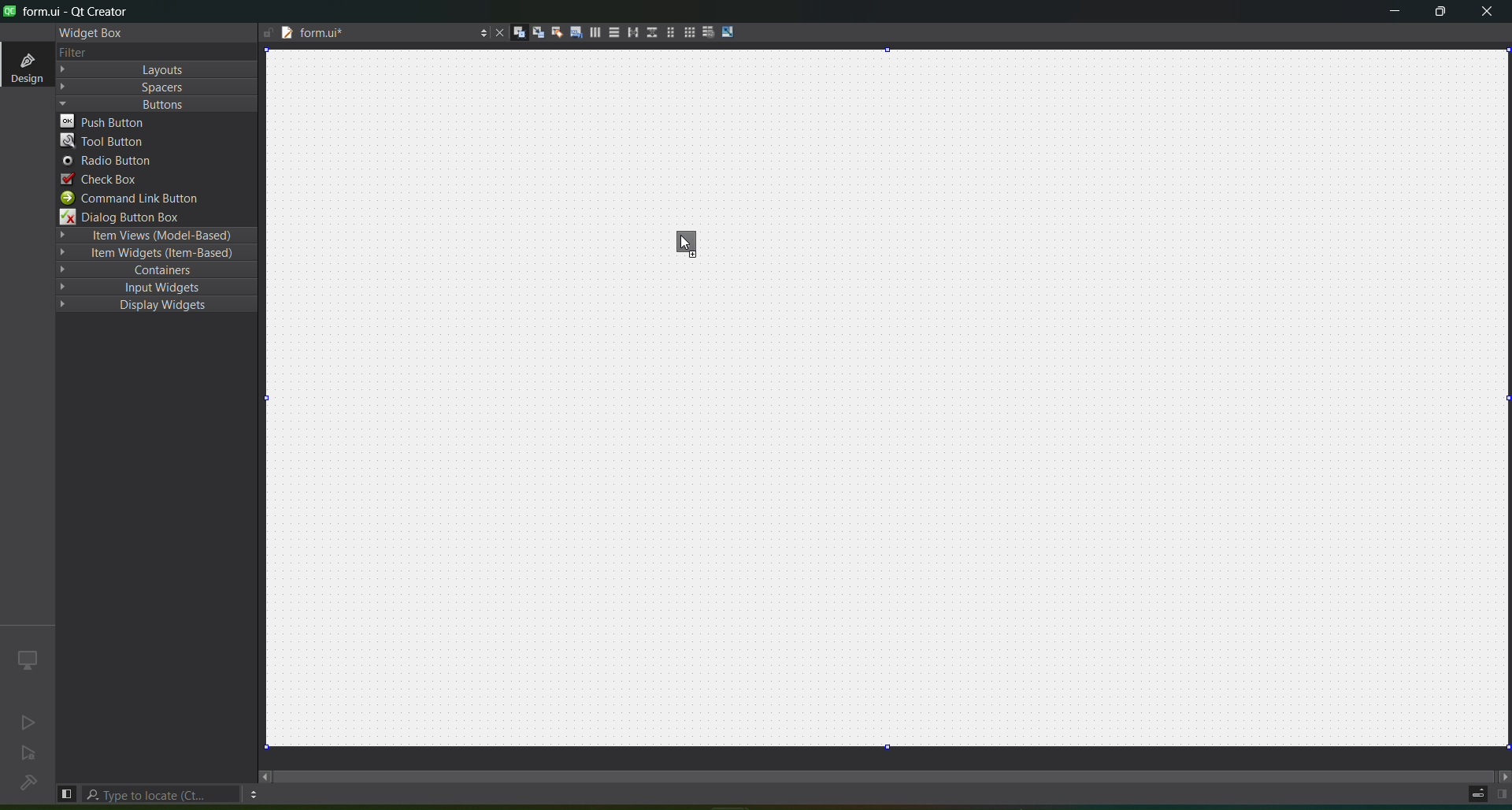 This screenshot has height=810, width=1512. Describe the element at coordinates (630, 32) in the screenshot. I see `layout horizontal splitter` at that location.